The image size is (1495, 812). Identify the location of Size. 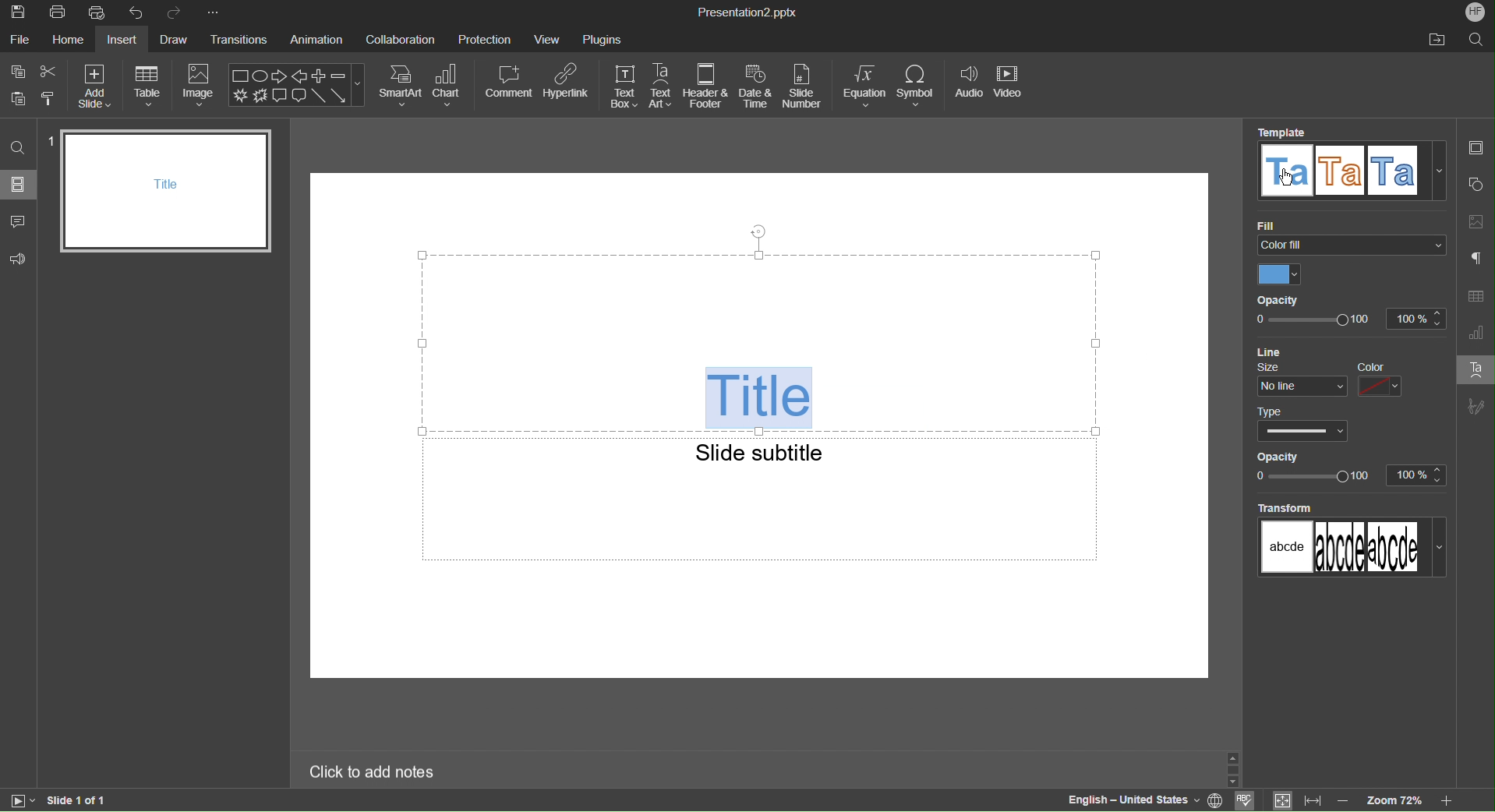
(1299, 379).